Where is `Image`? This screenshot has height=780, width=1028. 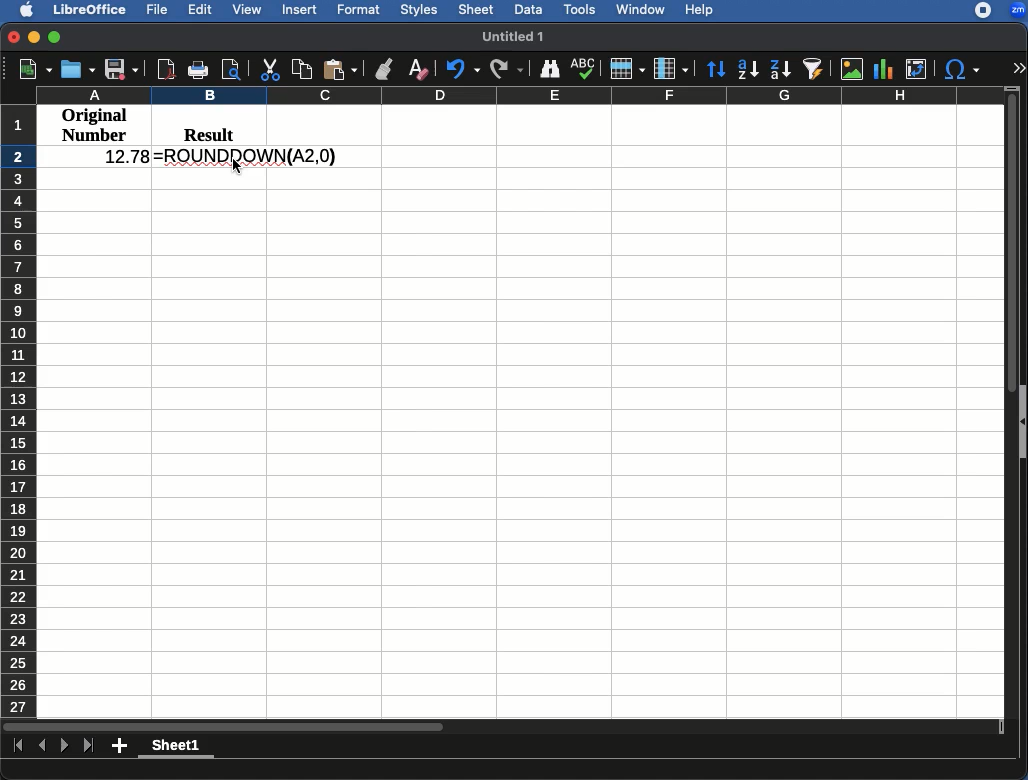
Image is located at coordinates (851, 69).